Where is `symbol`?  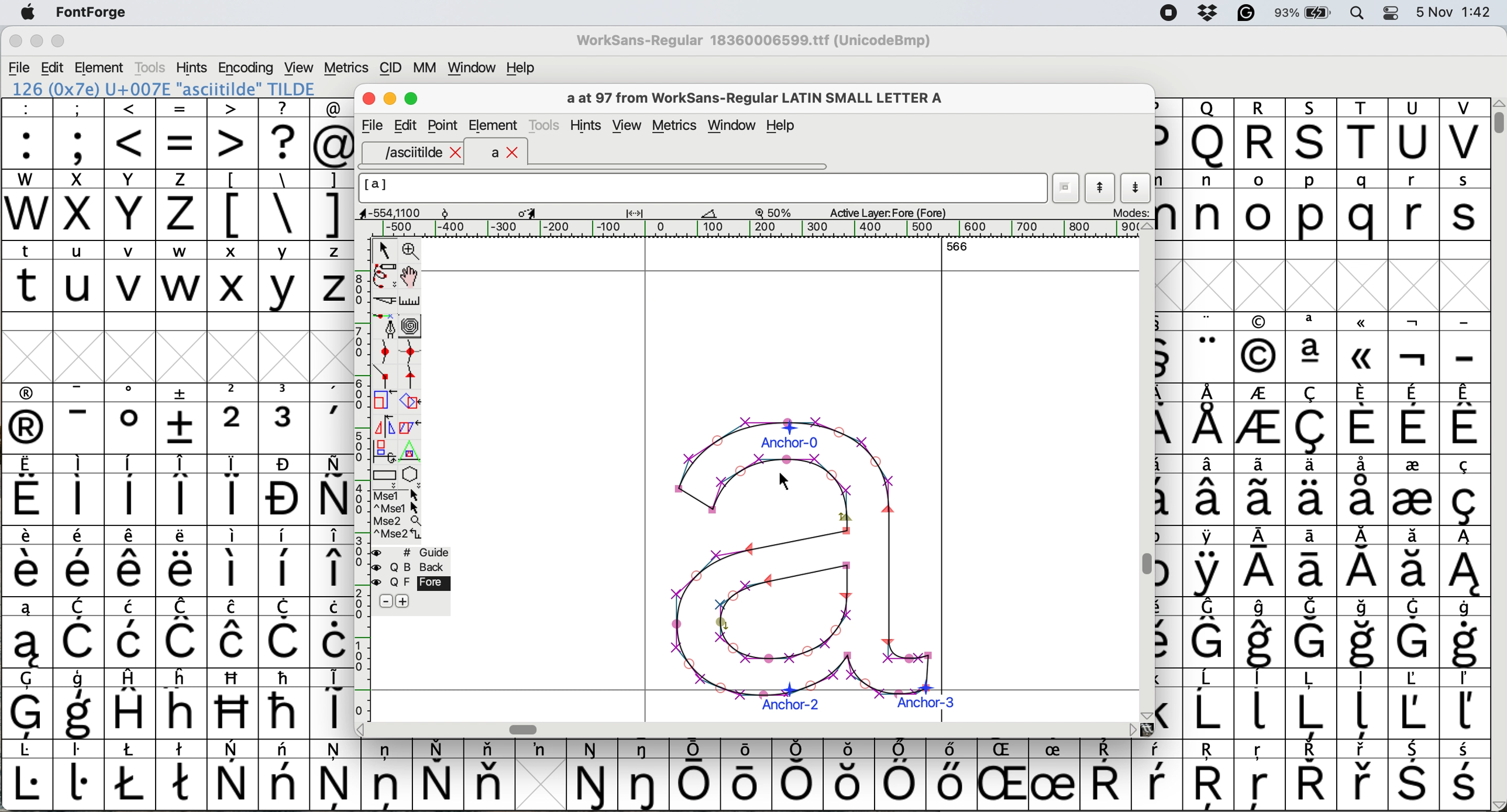 symbol is located at coordinates (285, 632).